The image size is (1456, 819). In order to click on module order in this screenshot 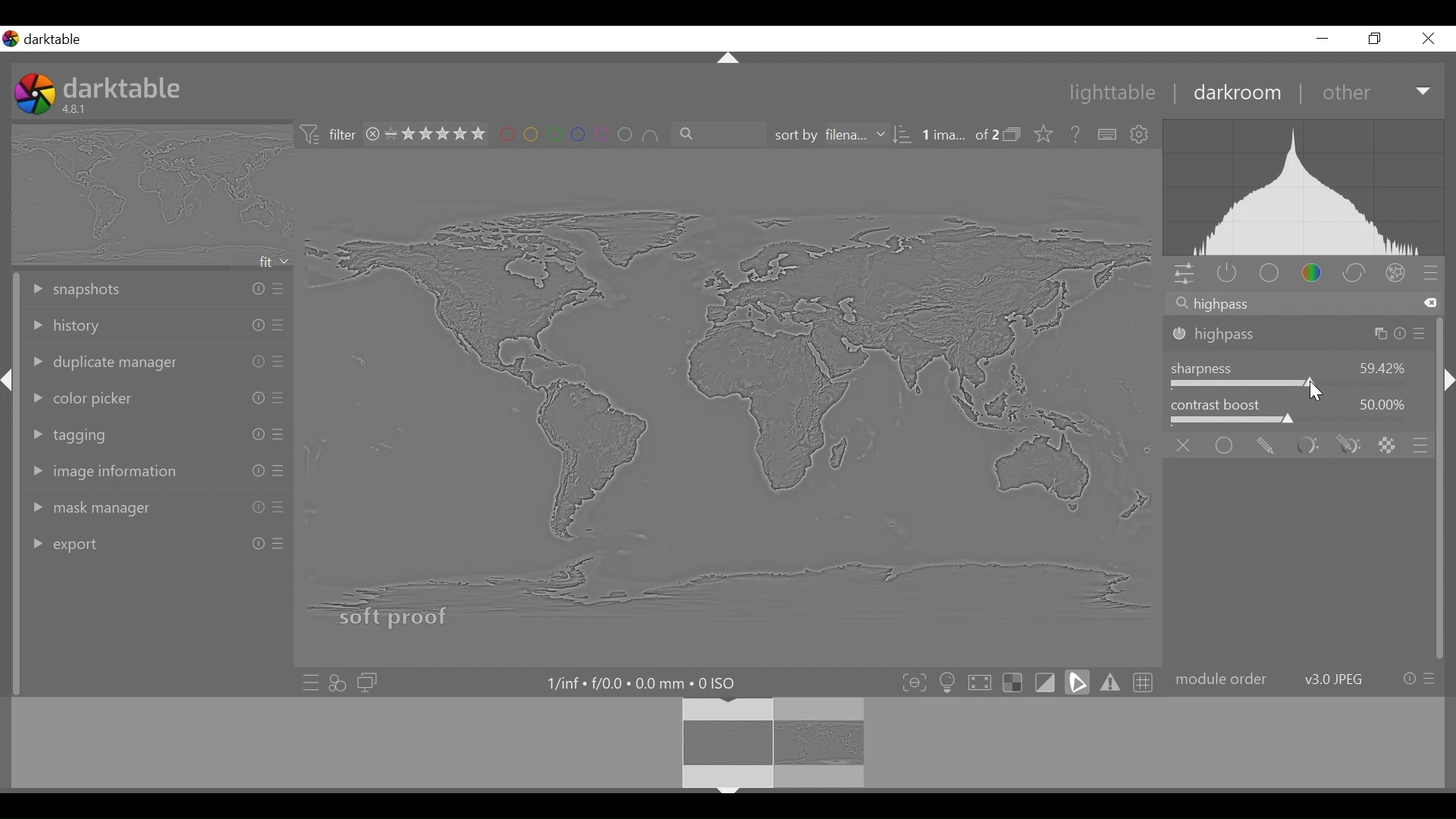, I will do `click(1307, 681)`.